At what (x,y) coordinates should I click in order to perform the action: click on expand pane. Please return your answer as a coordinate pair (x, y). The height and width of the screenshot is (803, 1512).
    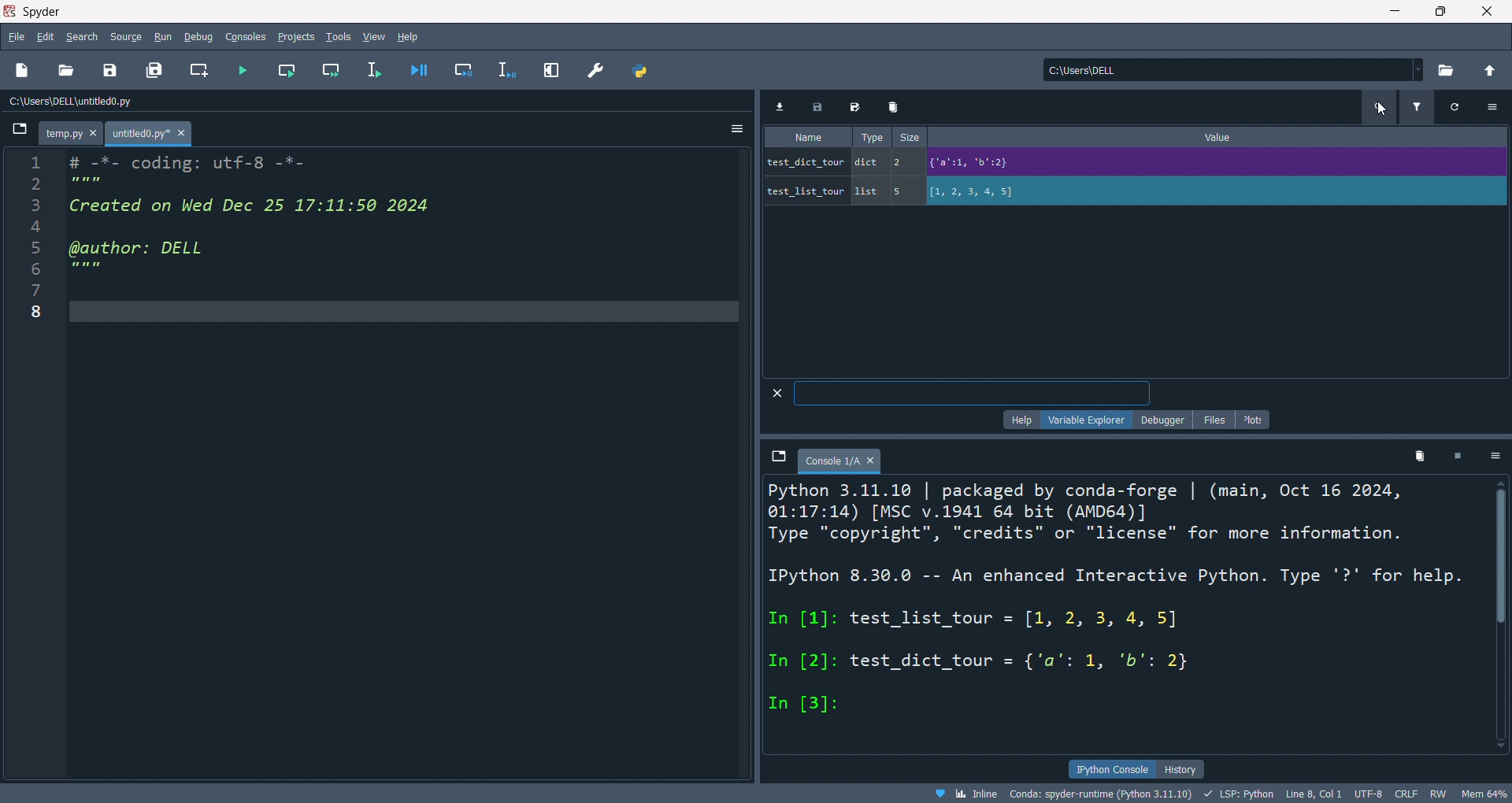
    Looking at the image, I should click on (548, 69).